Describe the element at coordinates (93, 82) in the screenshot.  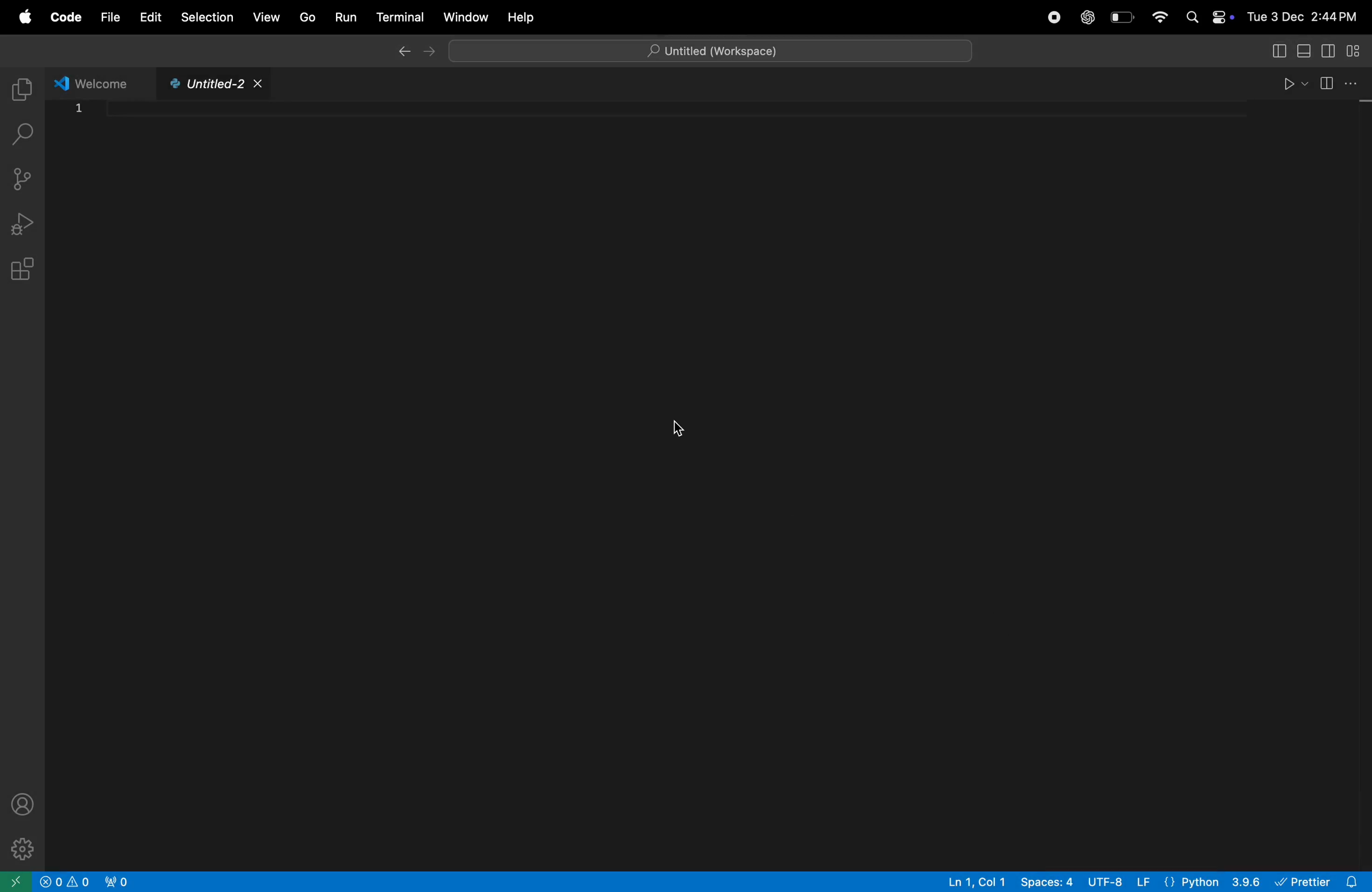
I see `welcome` at that location.